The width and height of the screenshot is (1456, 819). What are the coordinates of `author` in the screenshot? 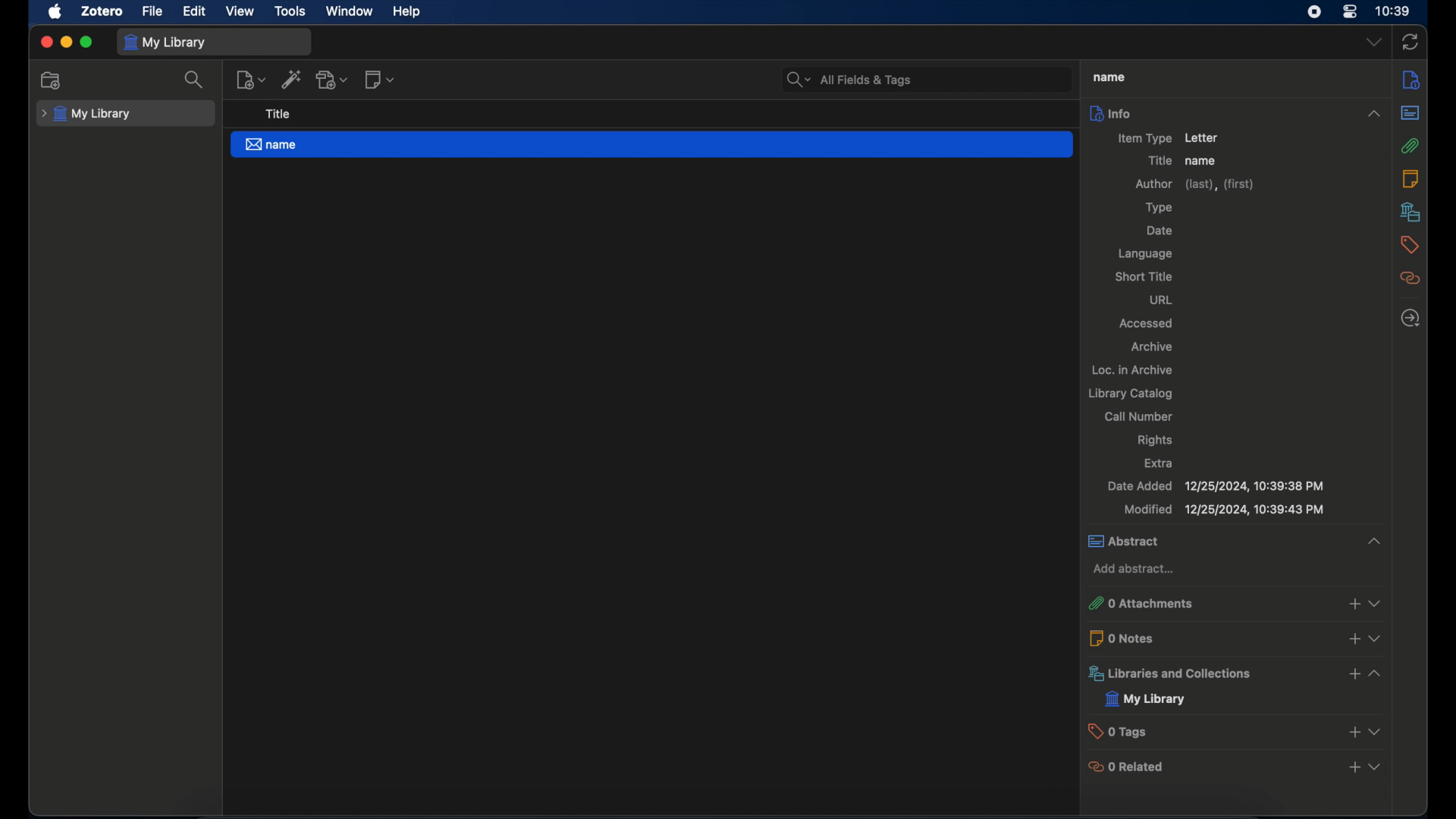 It's located at (1194, 184).